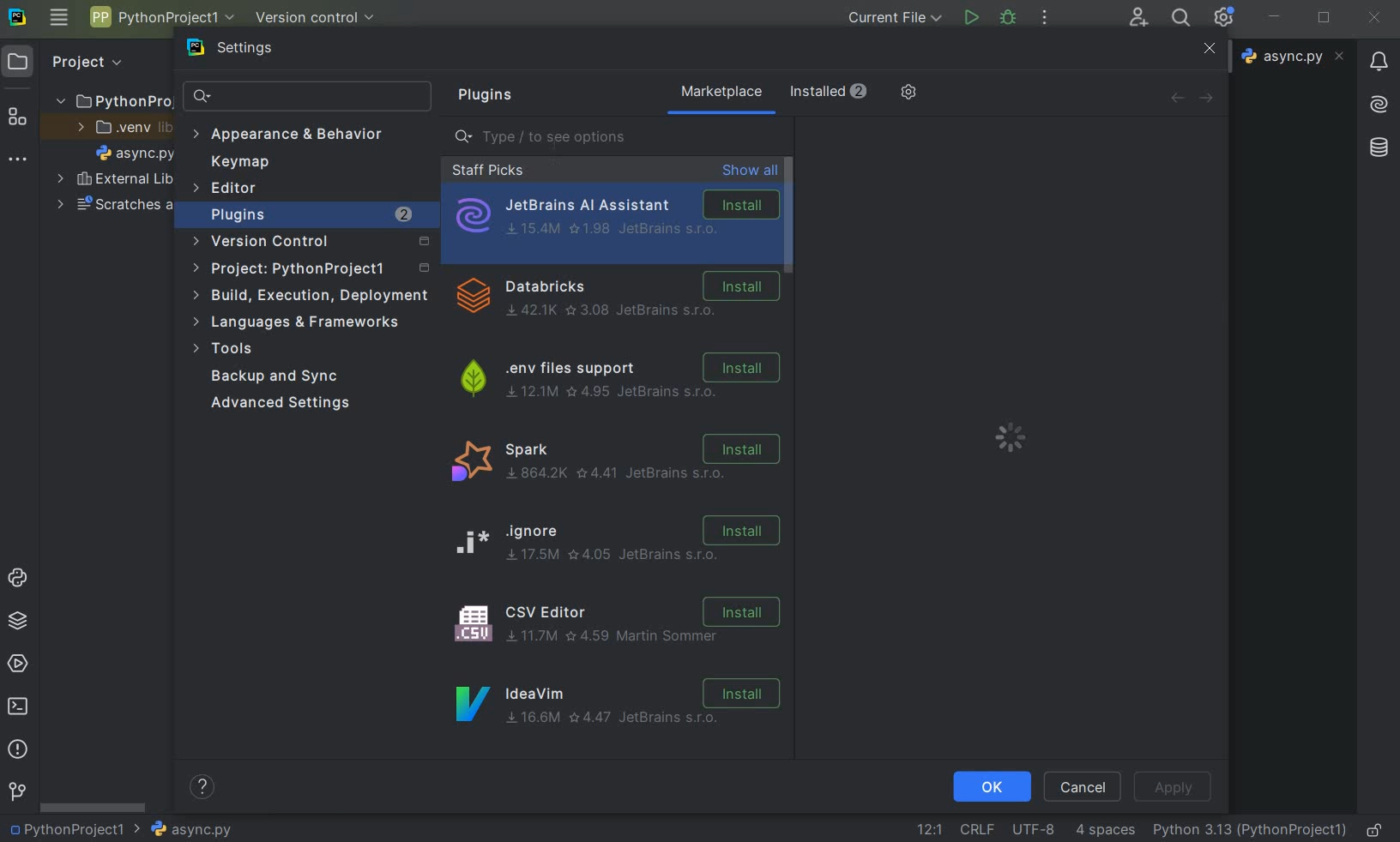 The height and width of the screenshot is (842, 1400). I want to click on keymap, so click(237, 162).